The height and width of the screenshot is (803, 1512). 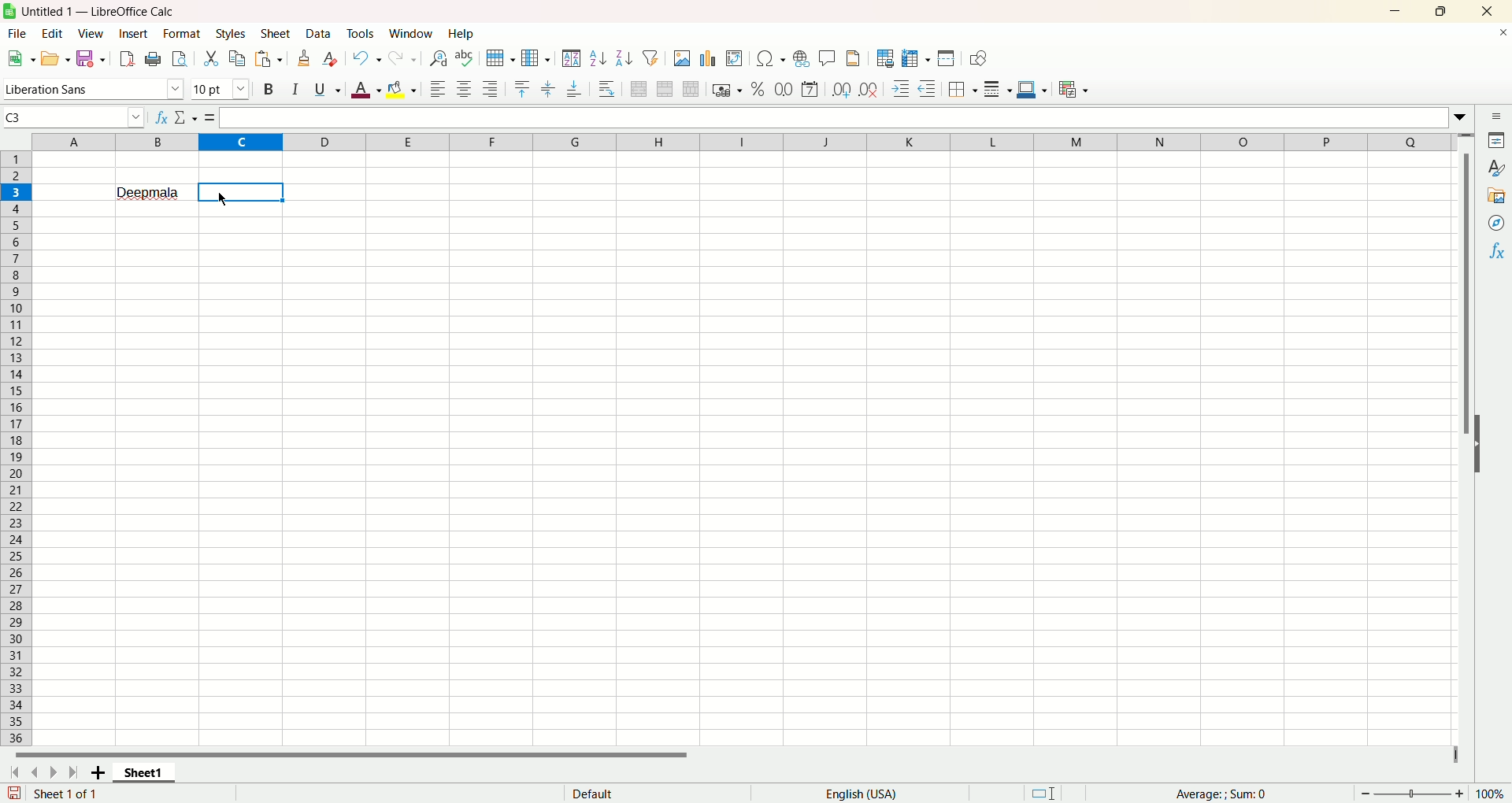 What do you see at coordinates (1496, 169) in the screenshot?
I see `Styles` at bounding box center [1496, 169].